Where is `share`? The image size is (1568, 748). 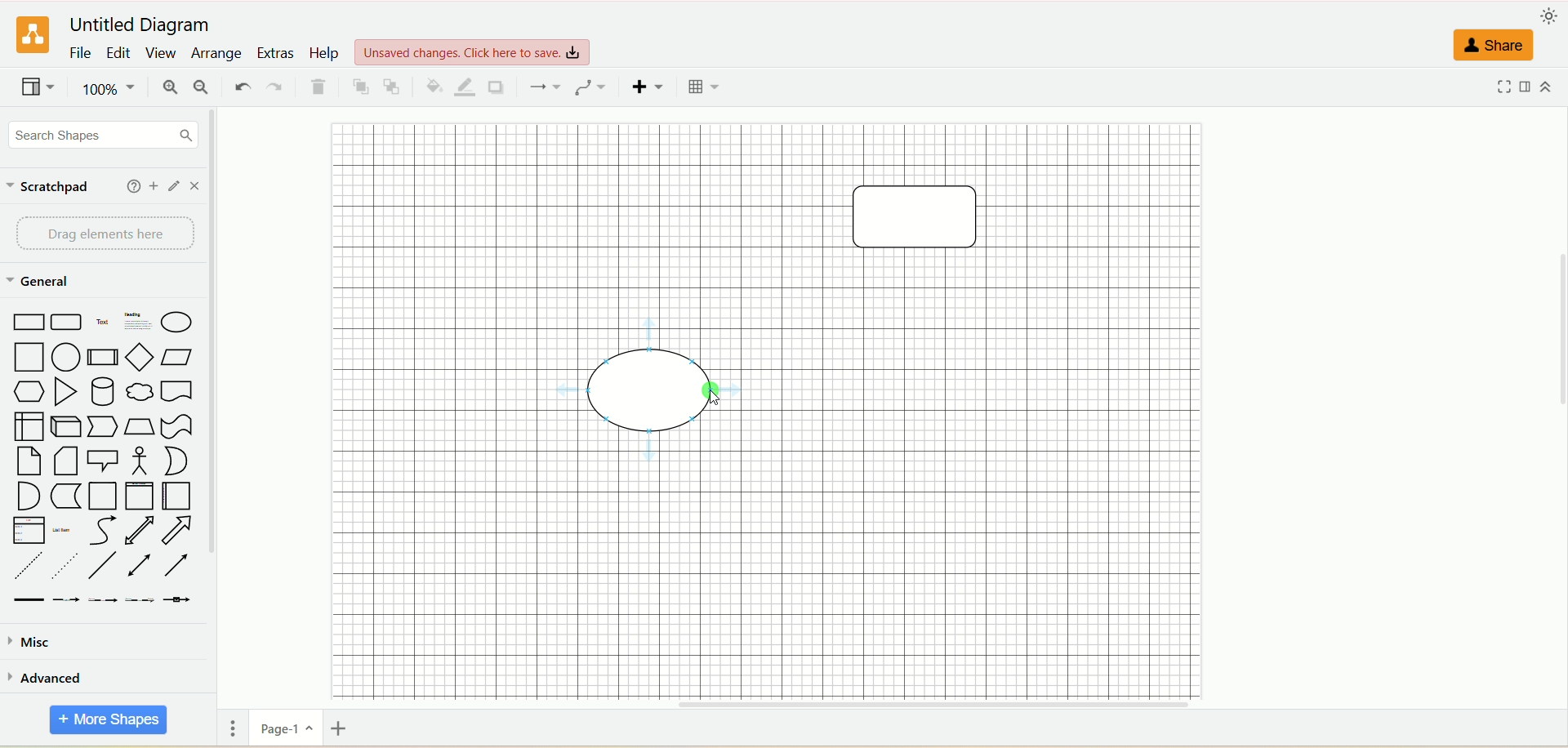 share is located at coordinates (1490, 47).